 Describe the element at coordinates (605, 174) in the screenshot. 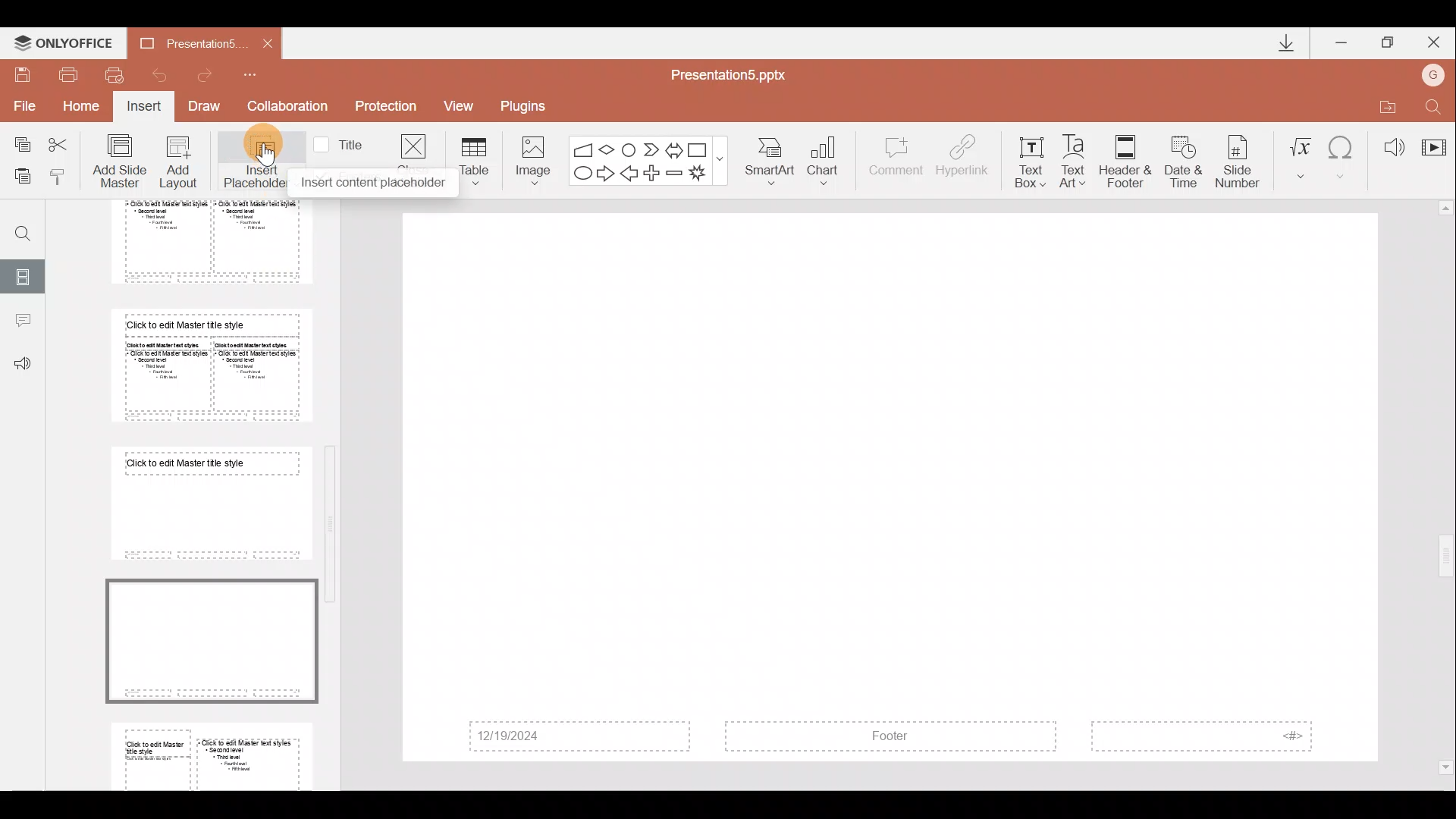

I see `Right arrow` at that location.